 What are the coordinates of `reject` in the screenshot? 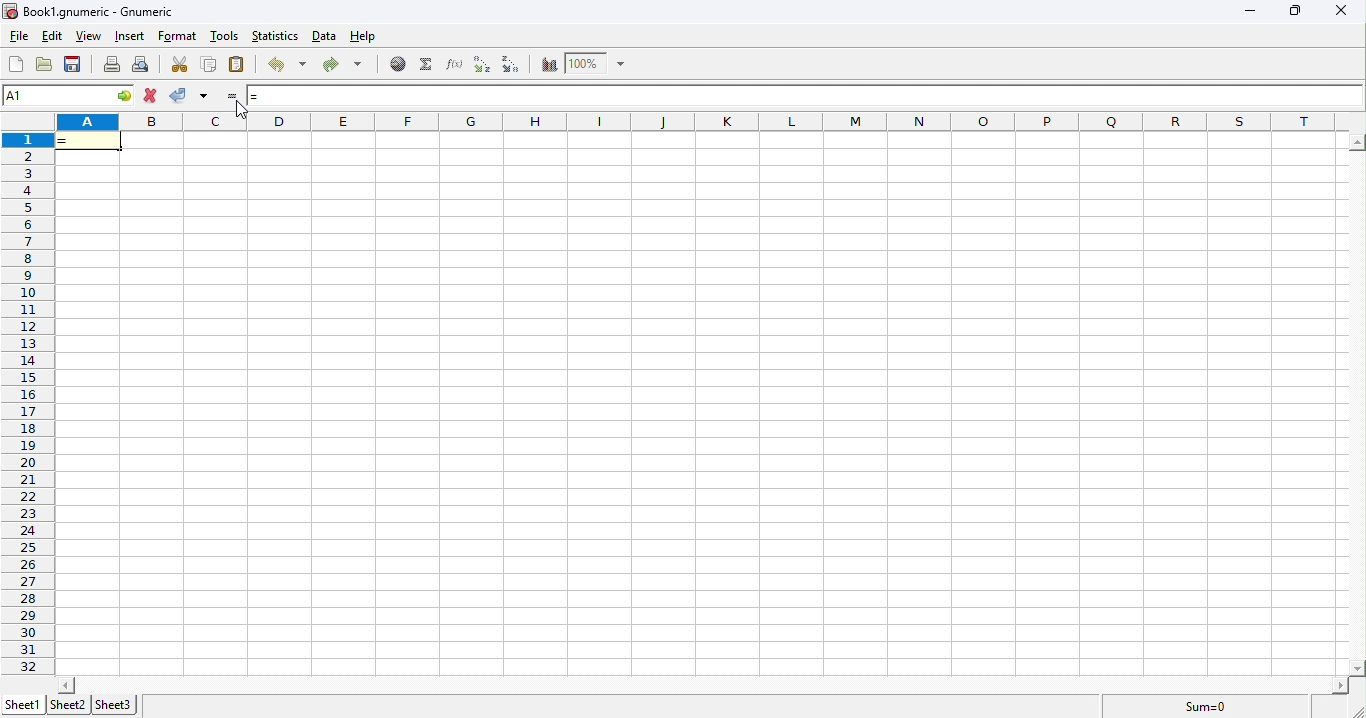 It's located at (189, 95).